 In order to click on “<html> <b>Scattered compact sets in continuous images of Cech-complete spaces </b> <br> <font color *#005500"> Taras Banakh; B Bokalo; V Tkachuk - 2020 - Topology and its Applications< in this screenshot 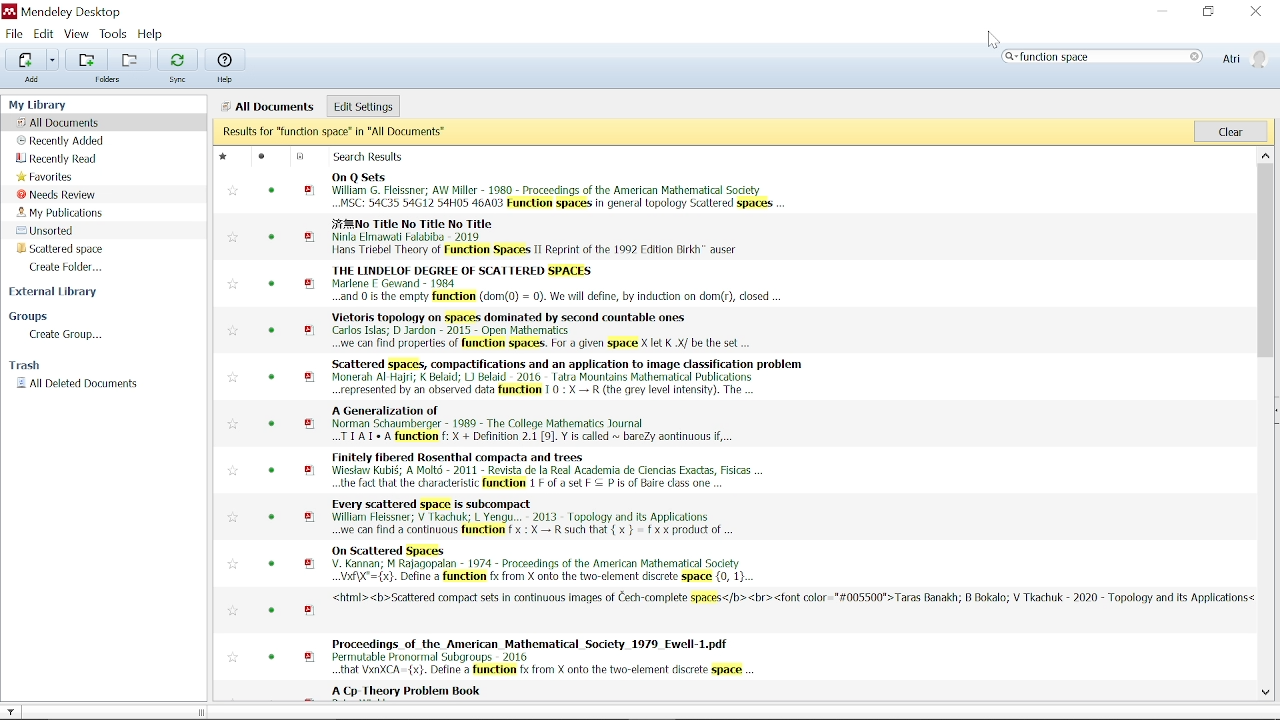, I will do `click(758, 611)`.